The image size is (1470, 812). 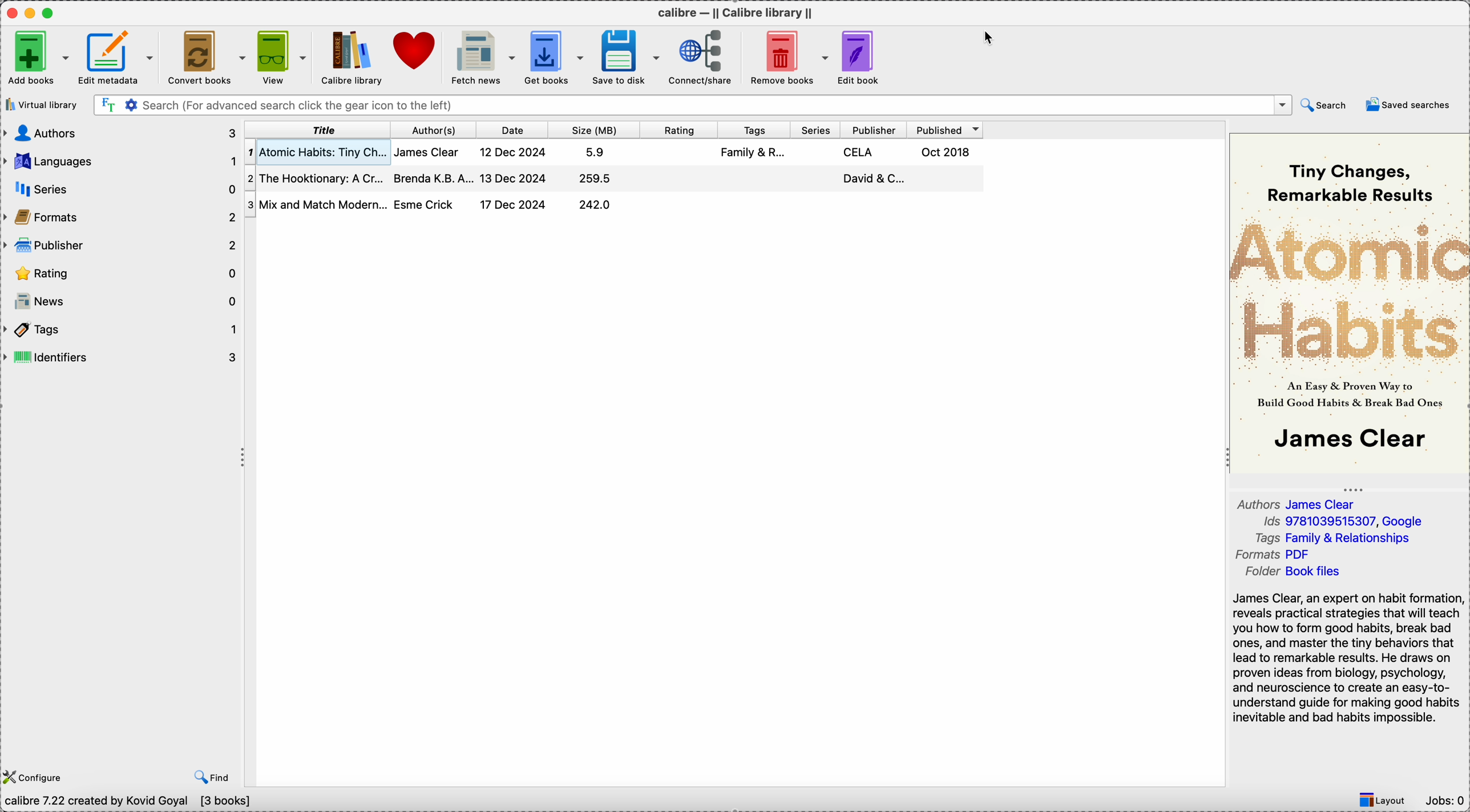 What do you see at coordinates (1348, 661) in the screenshot?
I see `synopsis` at bounding box center [1348, 661].